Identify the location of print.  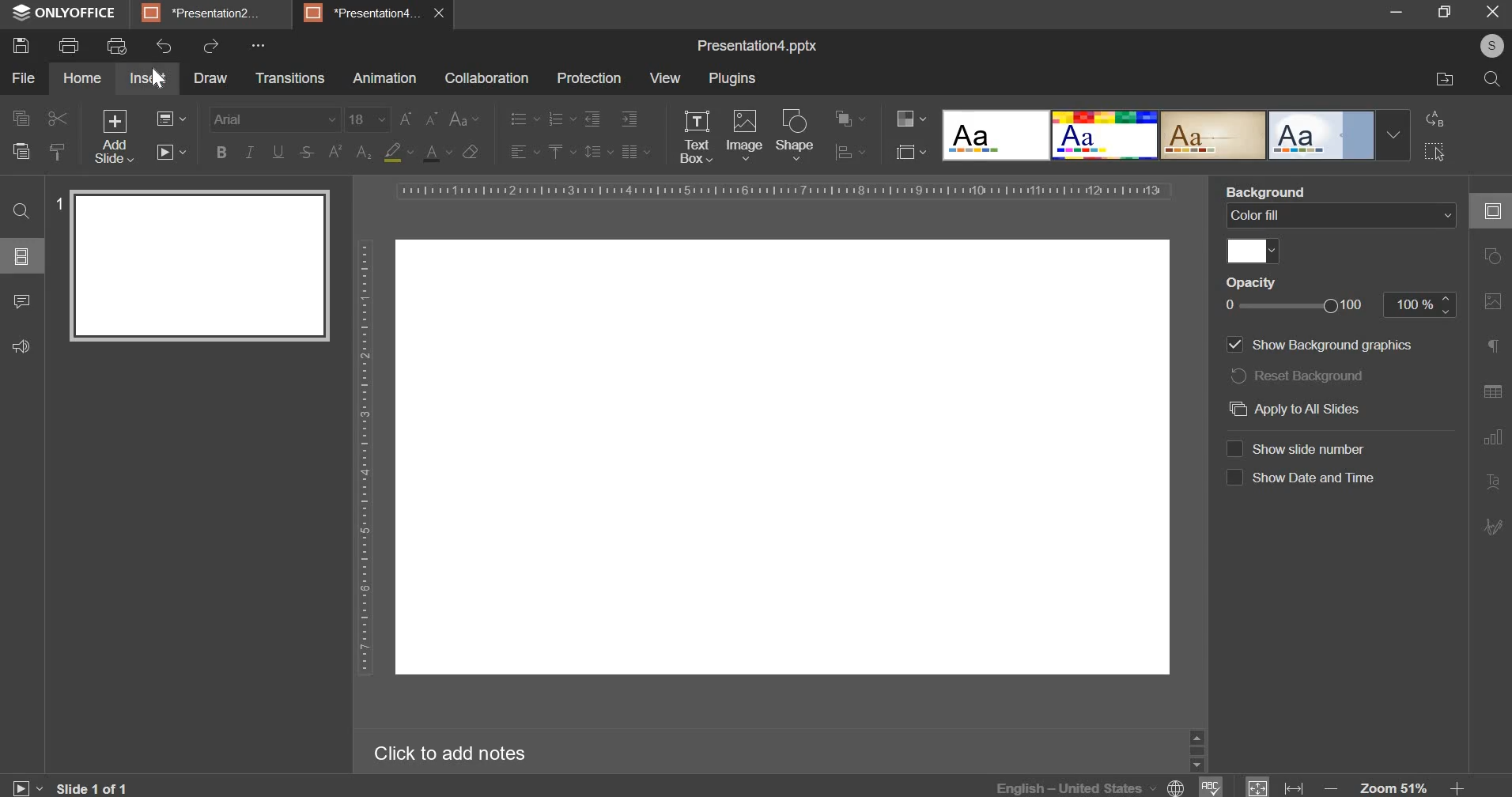
(69, 47).